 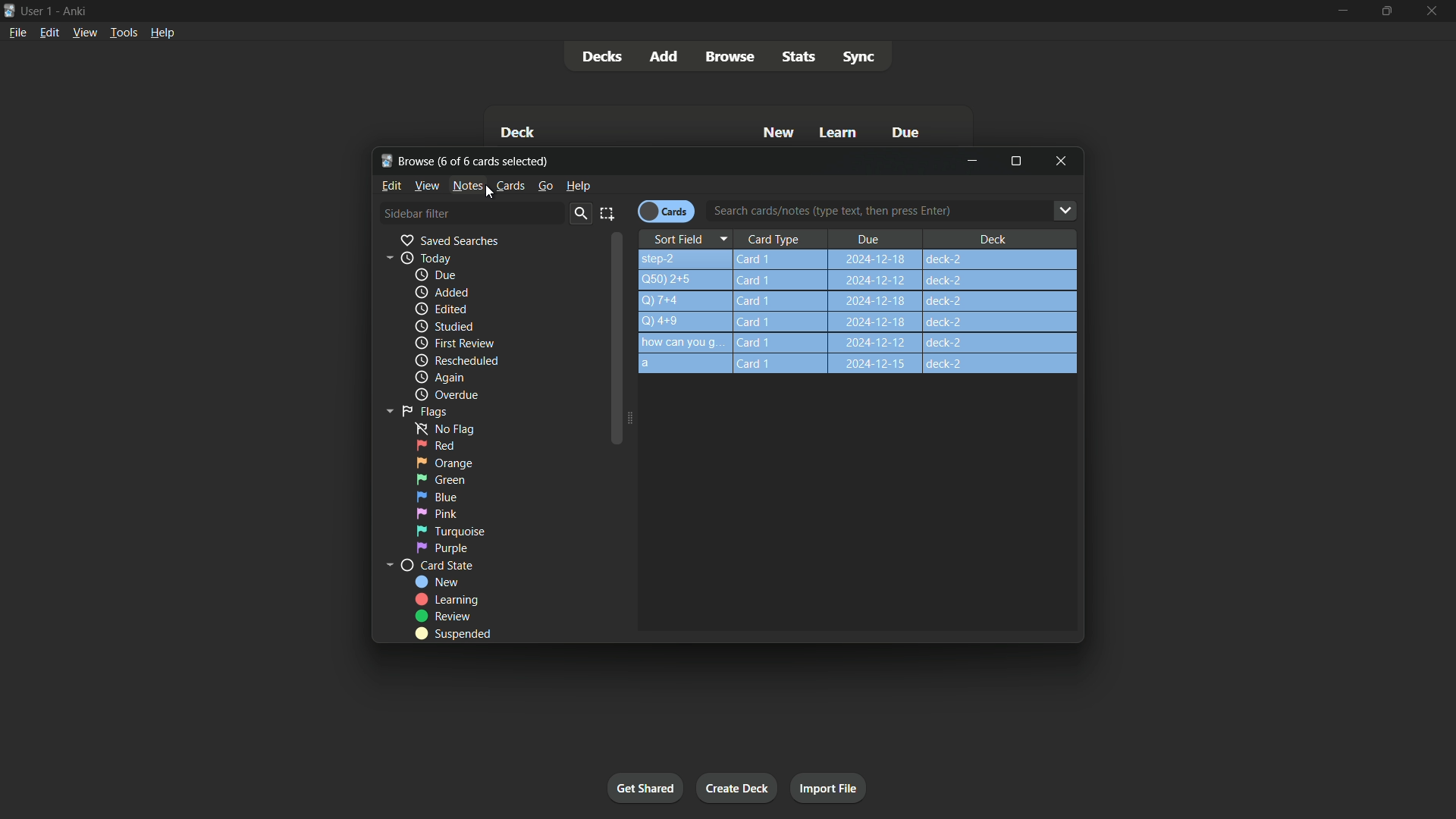 What do you see at coordinates (454, 343) in the screenshot?
I see `First review` at bounding box center [454, 343].